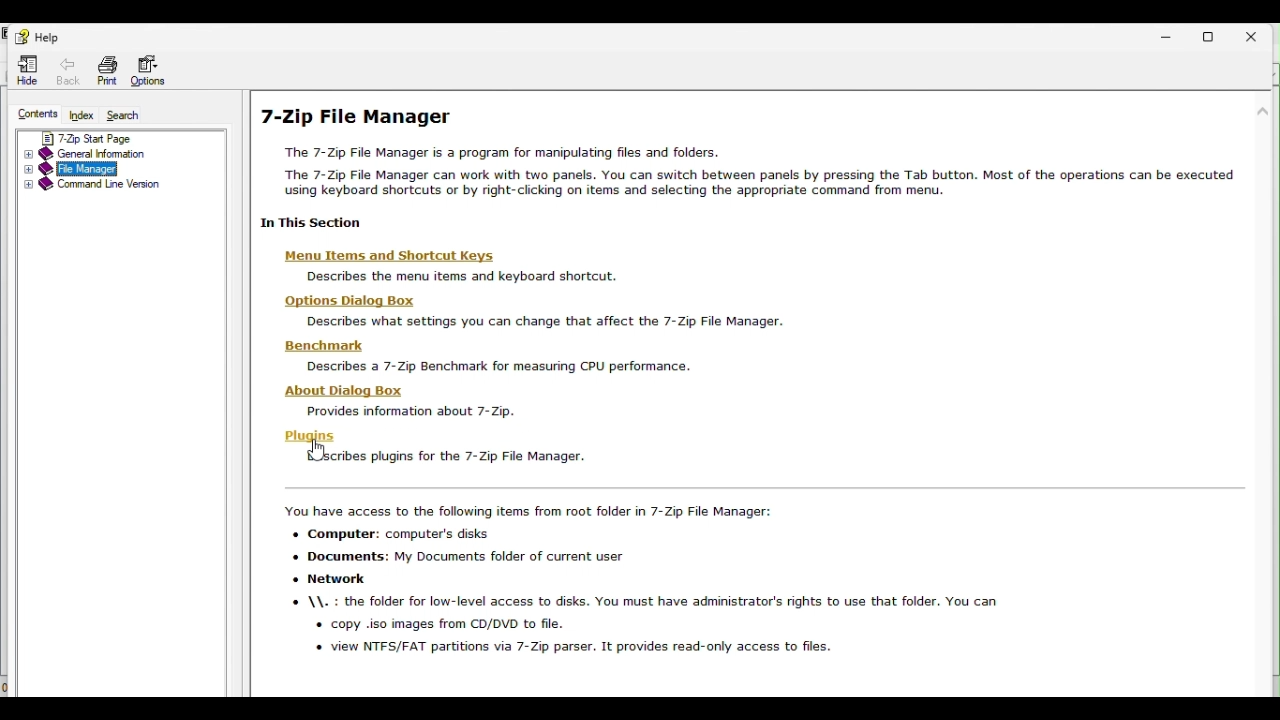  Describe the element at coordinates (117, 186) in the screenshot. I see `Command line version` at that location.